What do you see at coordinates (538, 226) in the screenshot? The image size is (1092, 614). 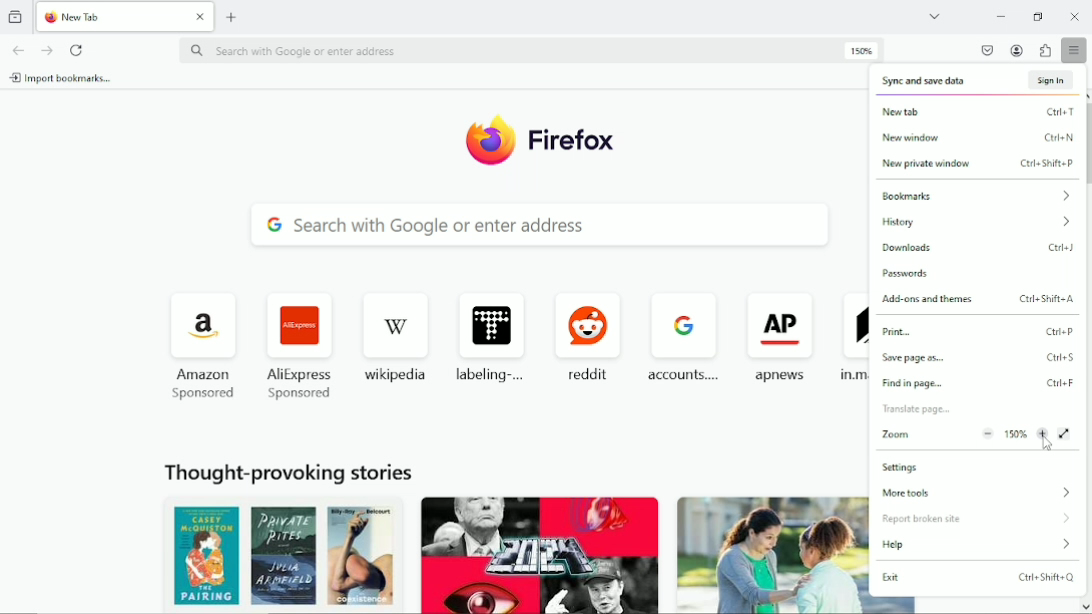 I see `search bar` at bounding box center [538, 226].